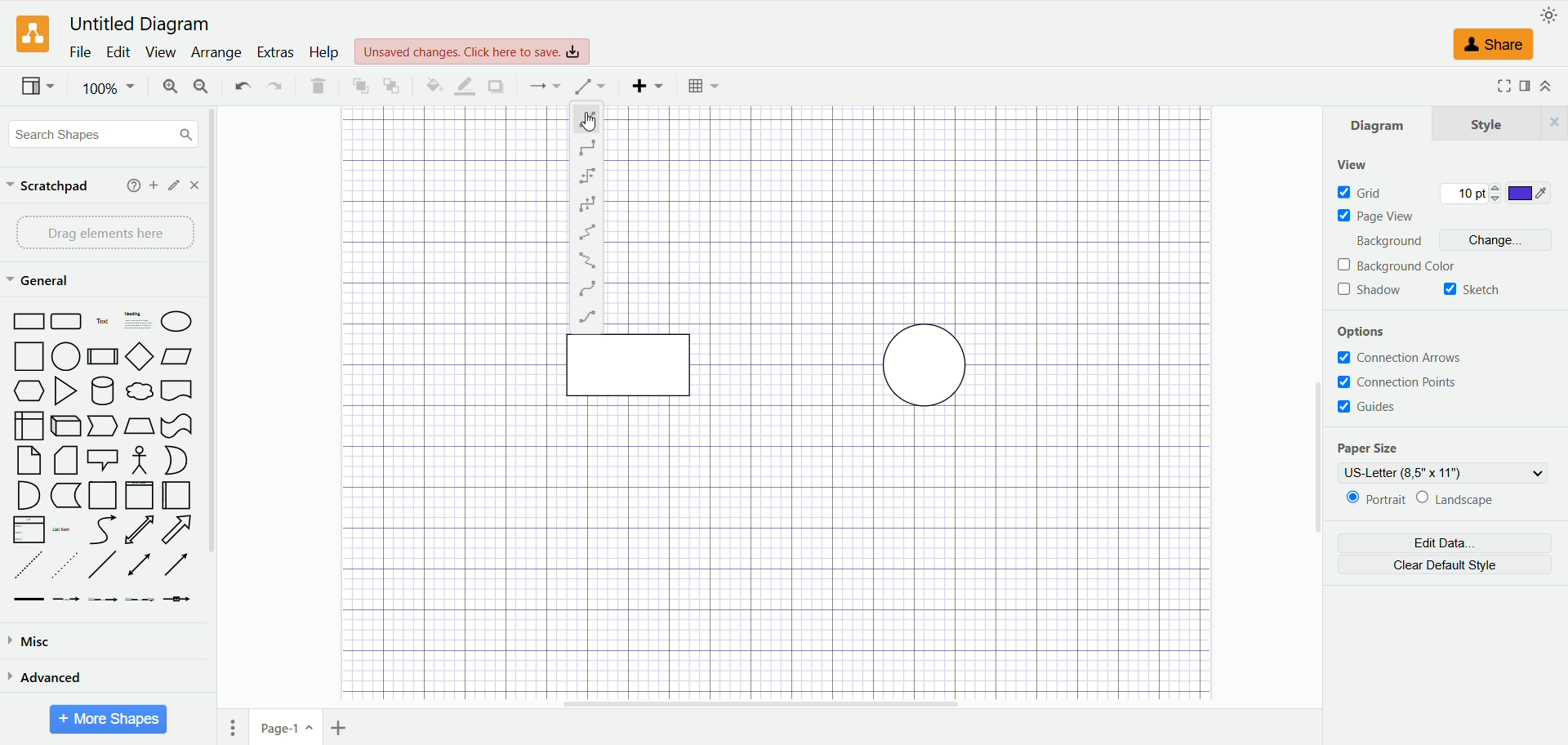 The image size is (1568, 745). I want to click on insert page, so click(341, 730).